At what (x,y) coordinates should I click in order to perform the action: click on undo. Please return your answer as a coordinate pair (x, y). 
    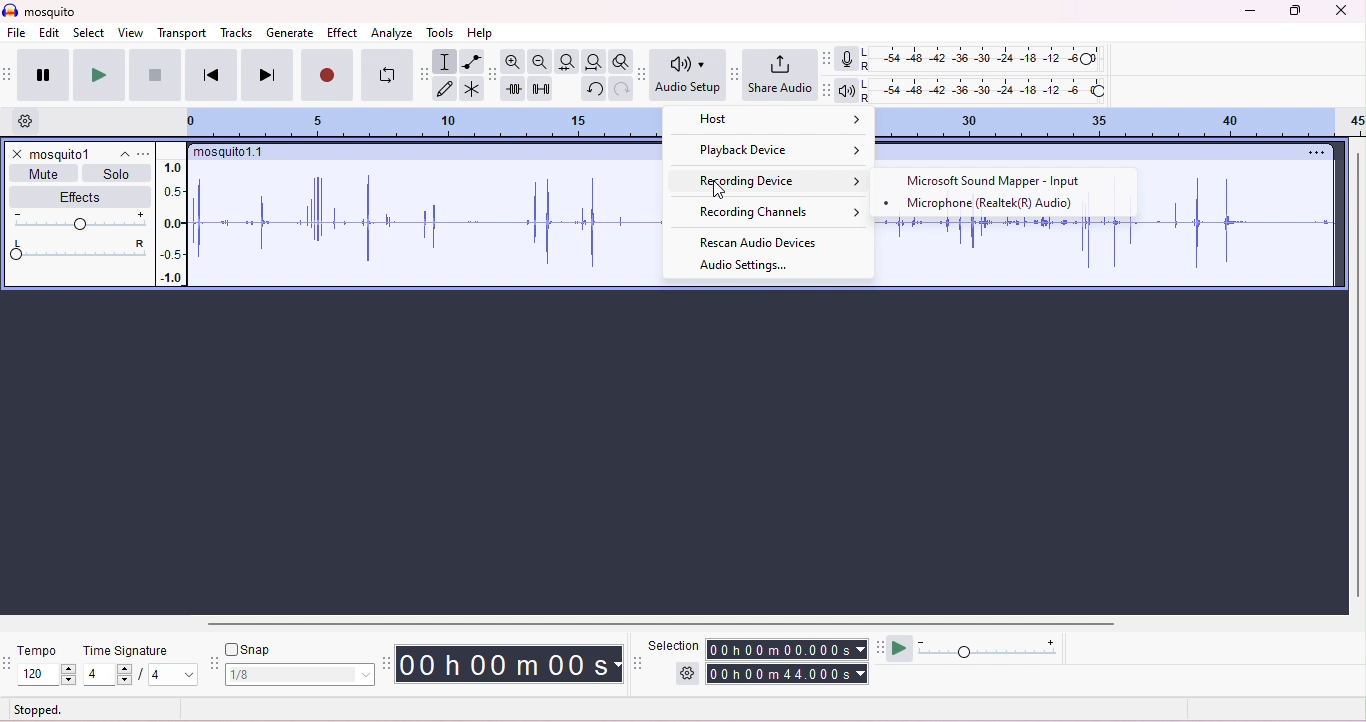
    Looking at the image, I should click on (593, 89).